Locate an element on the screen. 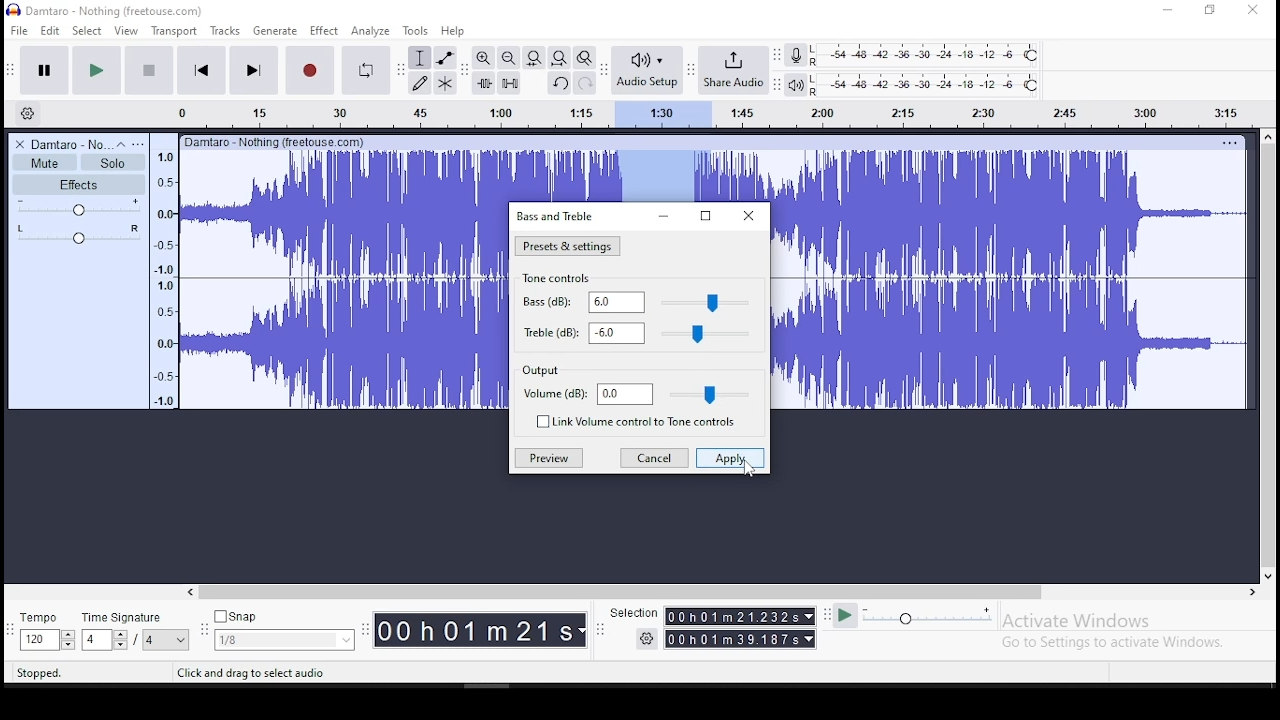 This screenshot has width=1280, height=720. Selection is located at coordinates (632, 613).